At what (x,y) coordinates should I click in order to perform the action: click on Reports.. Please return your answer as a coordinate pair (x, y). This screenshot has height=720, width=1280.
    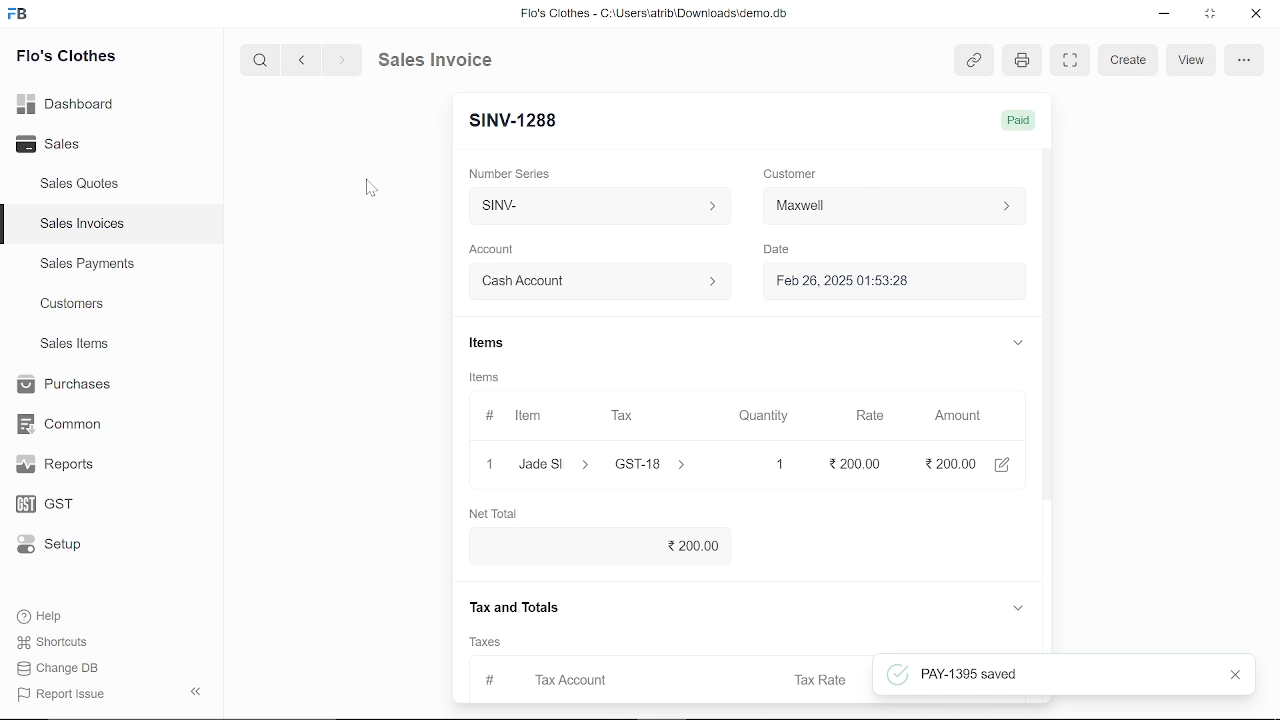
    Looking at the image, I should click on (63, 464).